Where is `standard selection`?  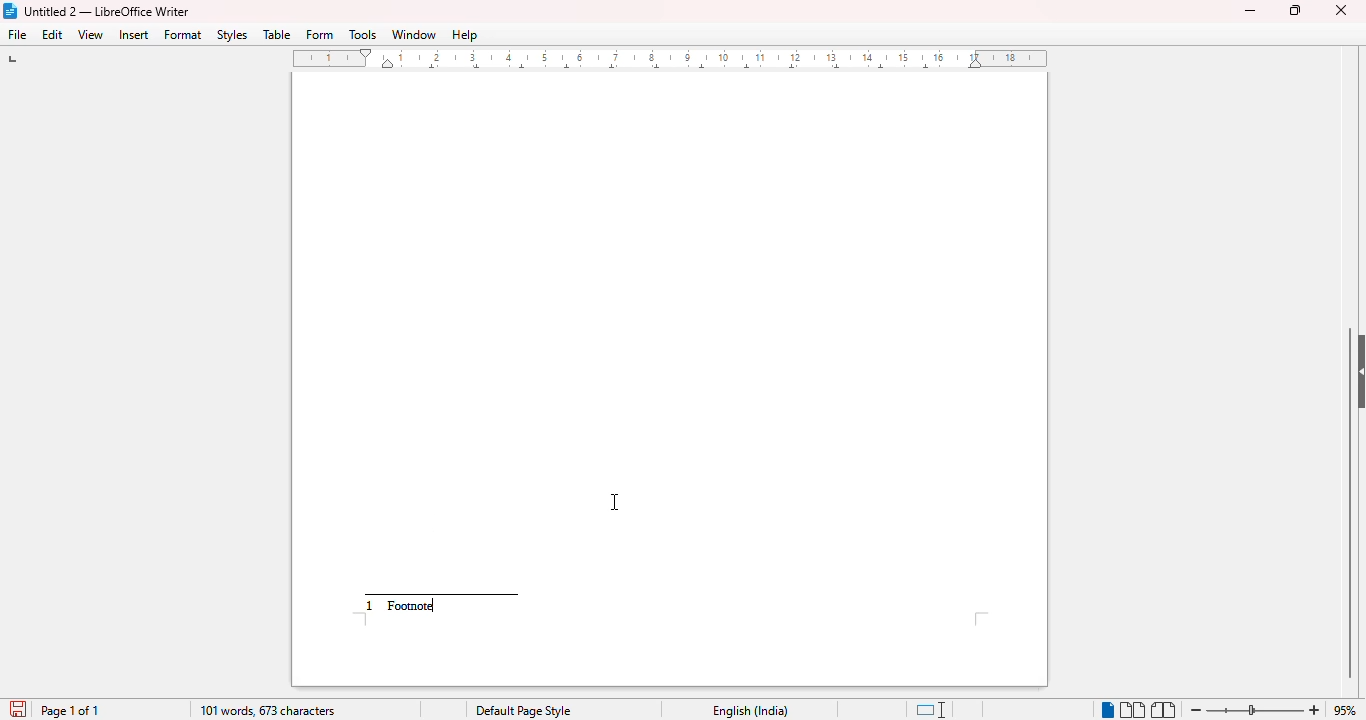
standard selection is located at coordinates (931, 709).